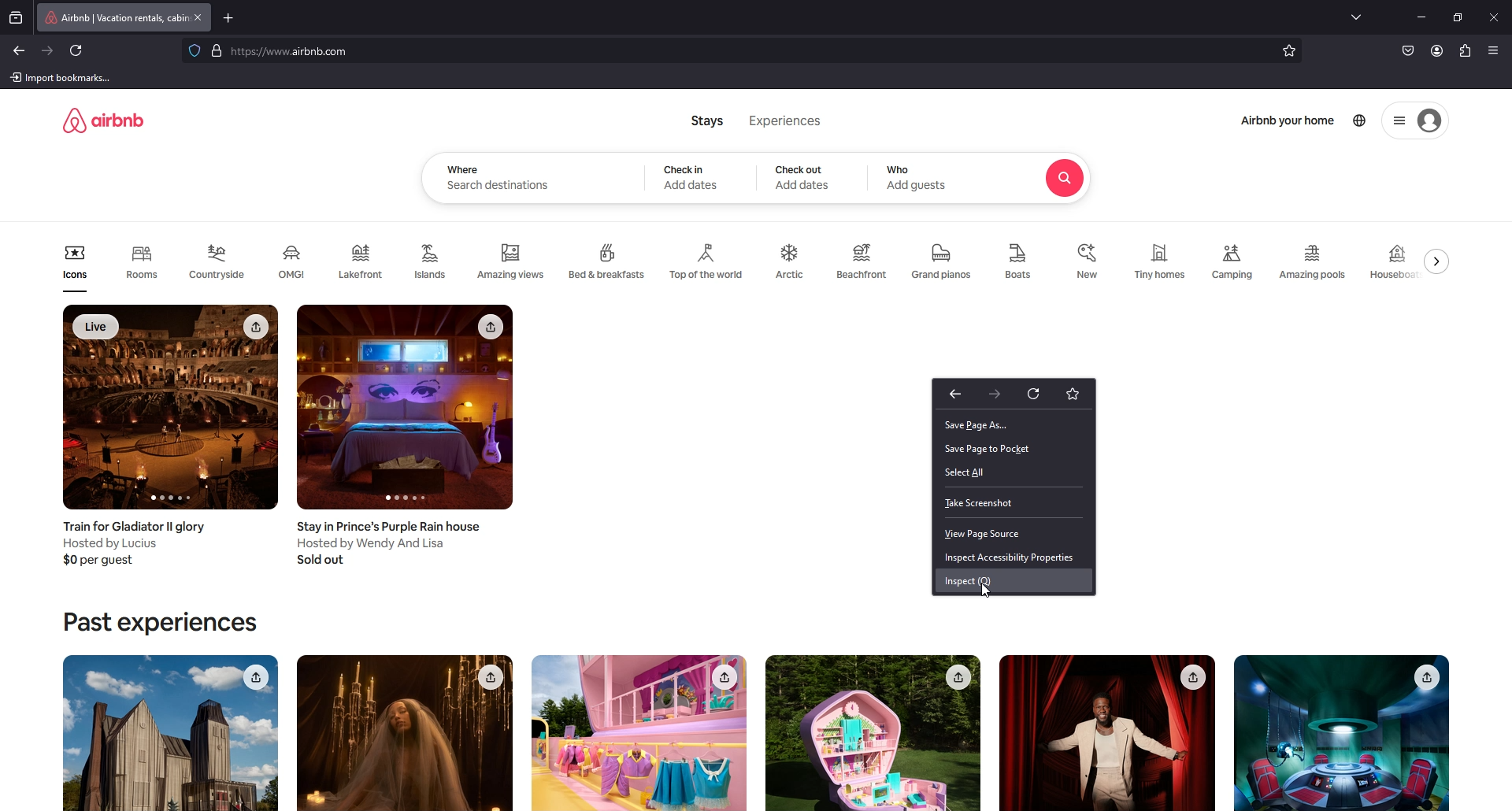 The width and height of the screenshot is (1512, 811). I want to click on boats, so click(1022, 261).